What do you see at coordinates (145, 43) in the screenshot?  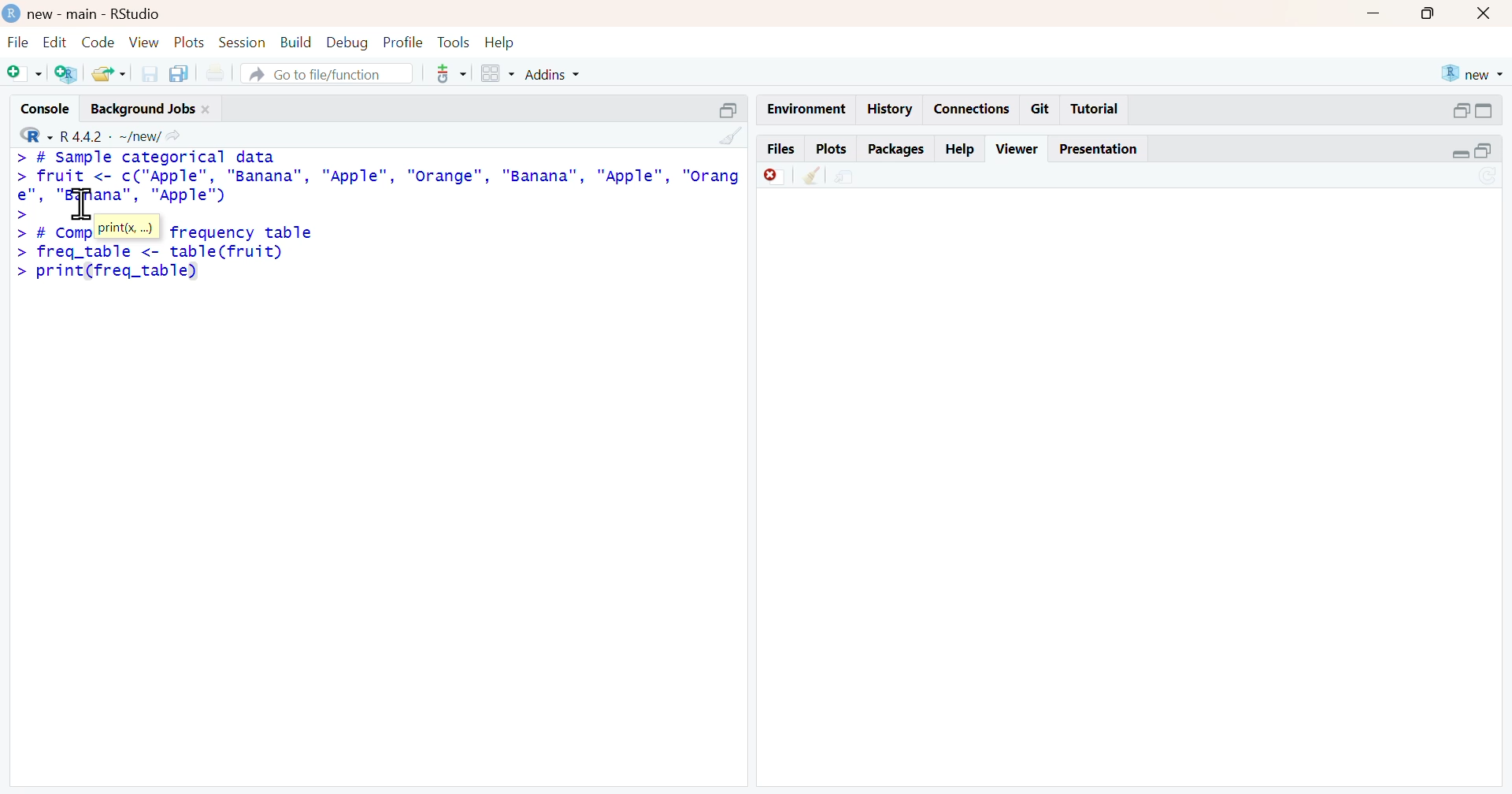 I see `view` at bounding box center [145, 43].